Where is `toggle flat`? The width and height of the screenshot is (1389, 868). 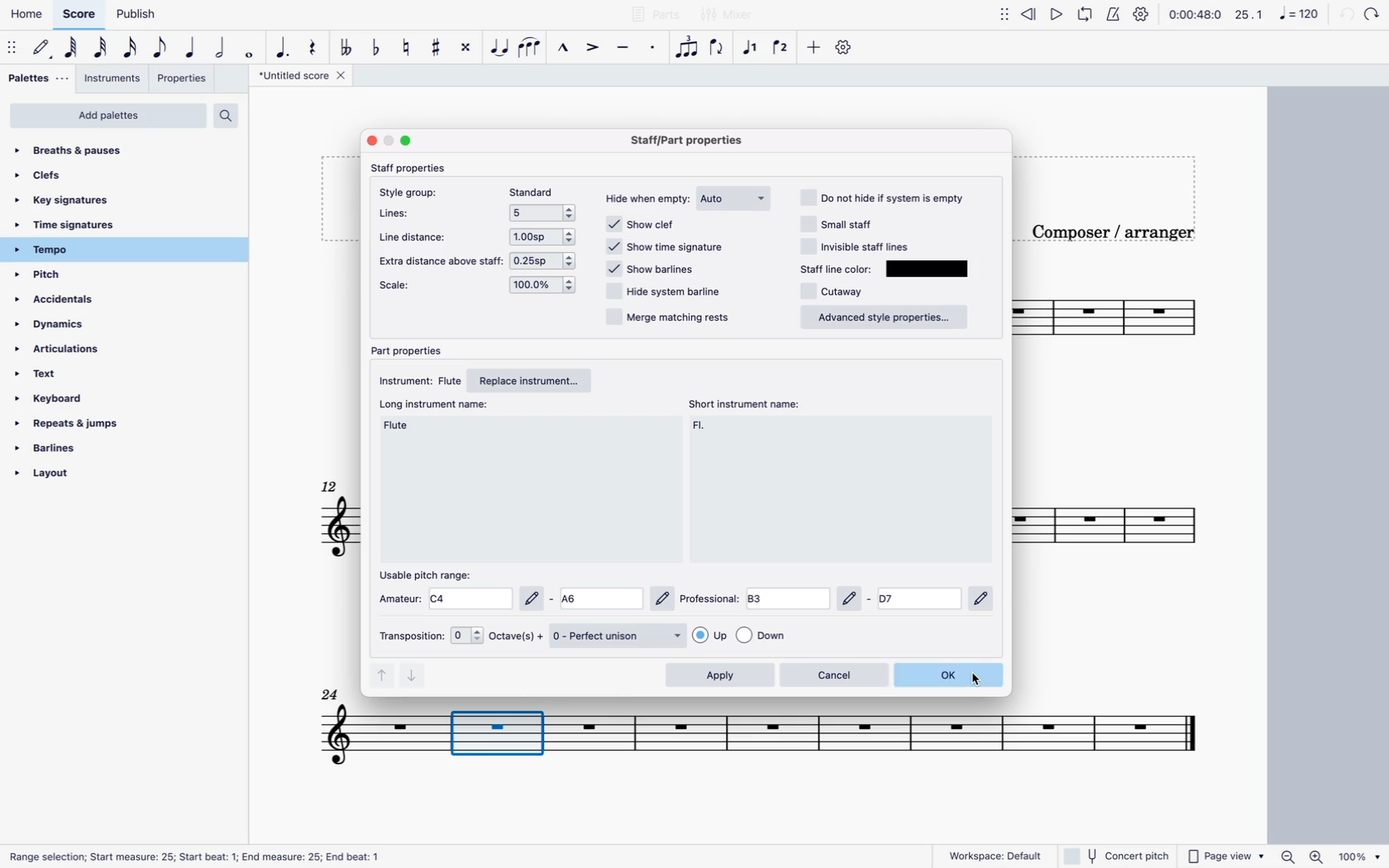 toggle flat is located at coordinates (375, 48).